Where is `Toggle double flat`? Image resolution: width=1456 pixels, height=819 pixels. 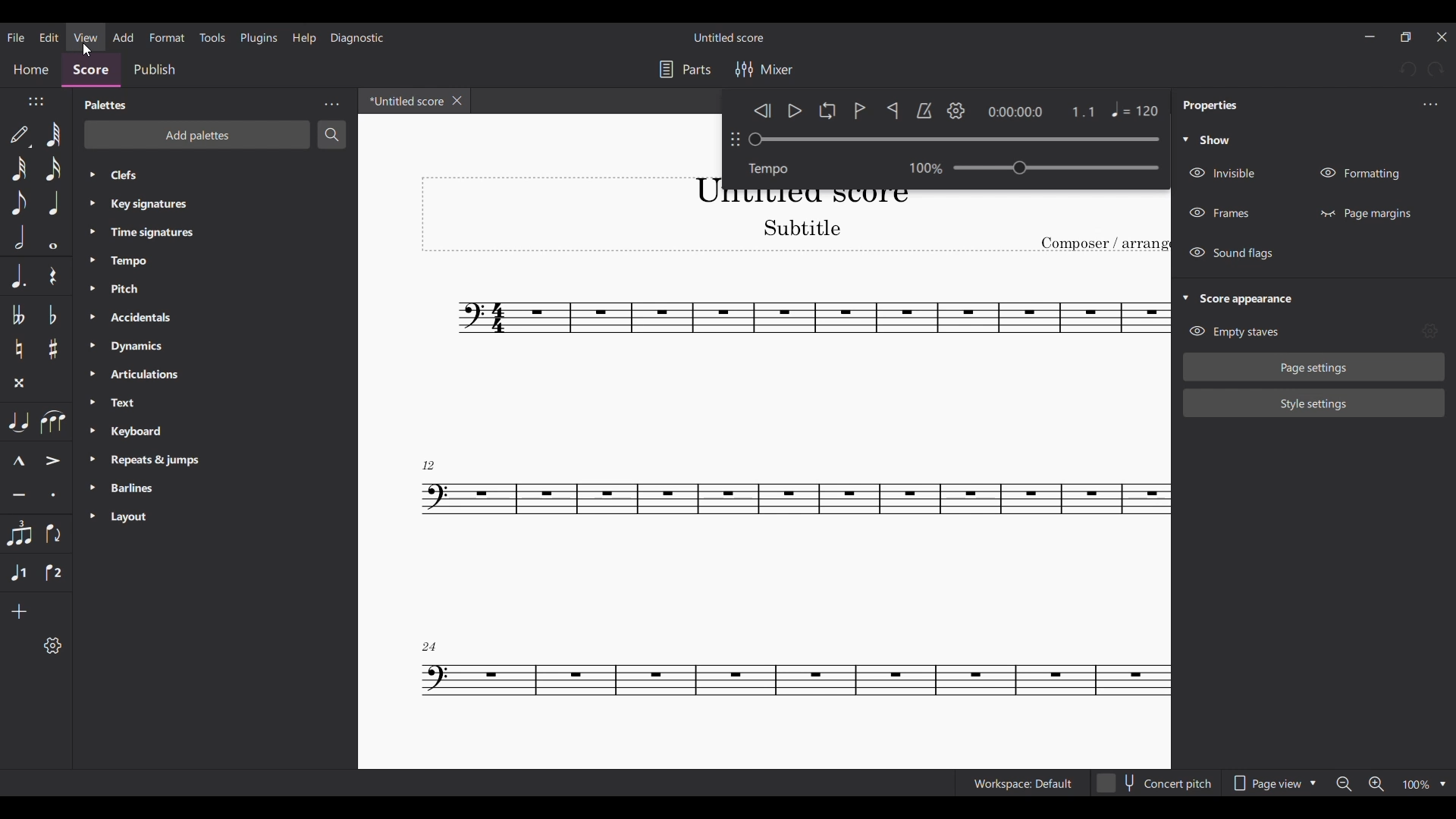 Toggle double flat is located at coordinates (18, 315).